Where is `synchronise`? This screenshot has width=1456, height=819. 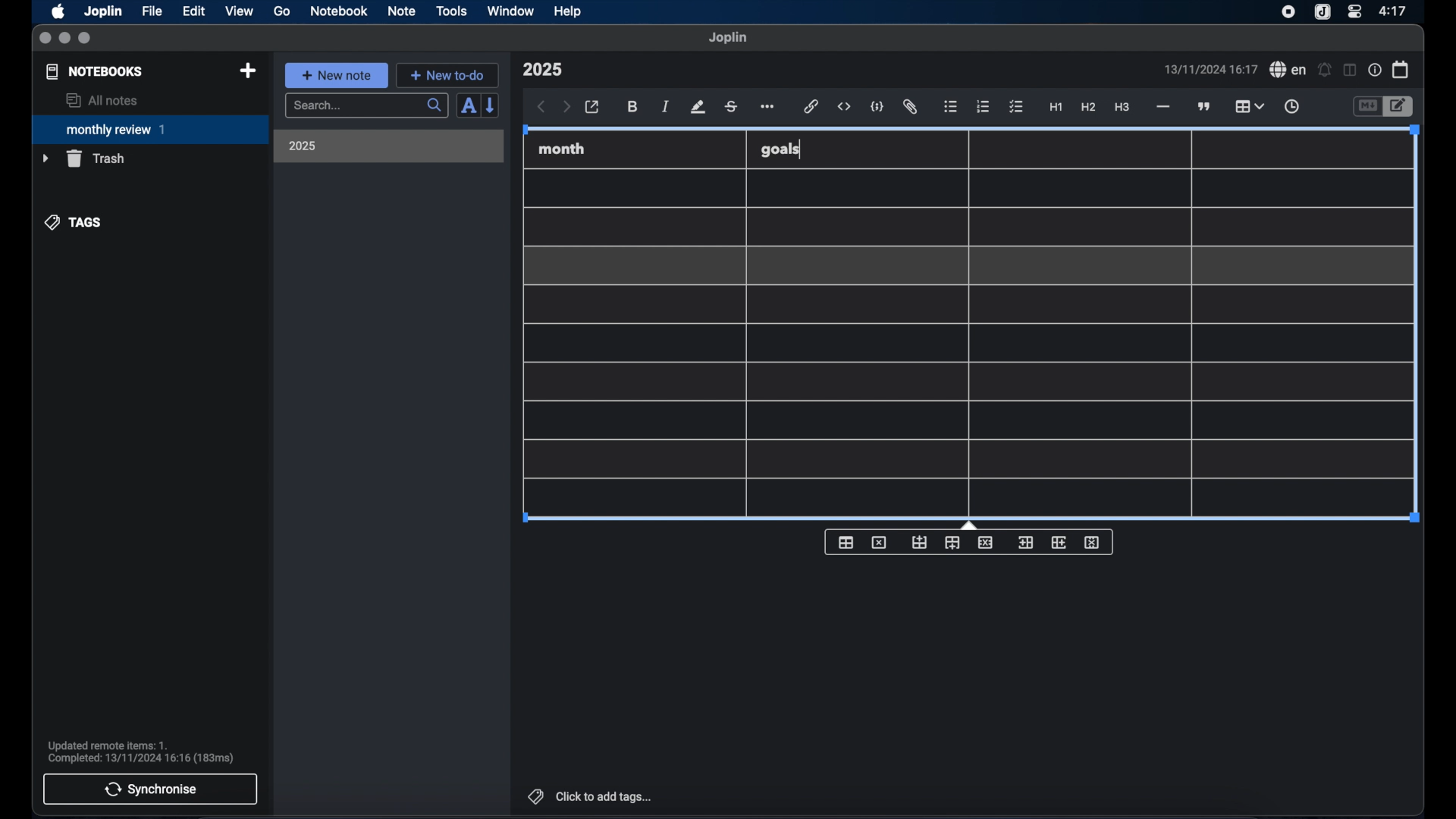 synchronise is located at coordinates (150, 789).